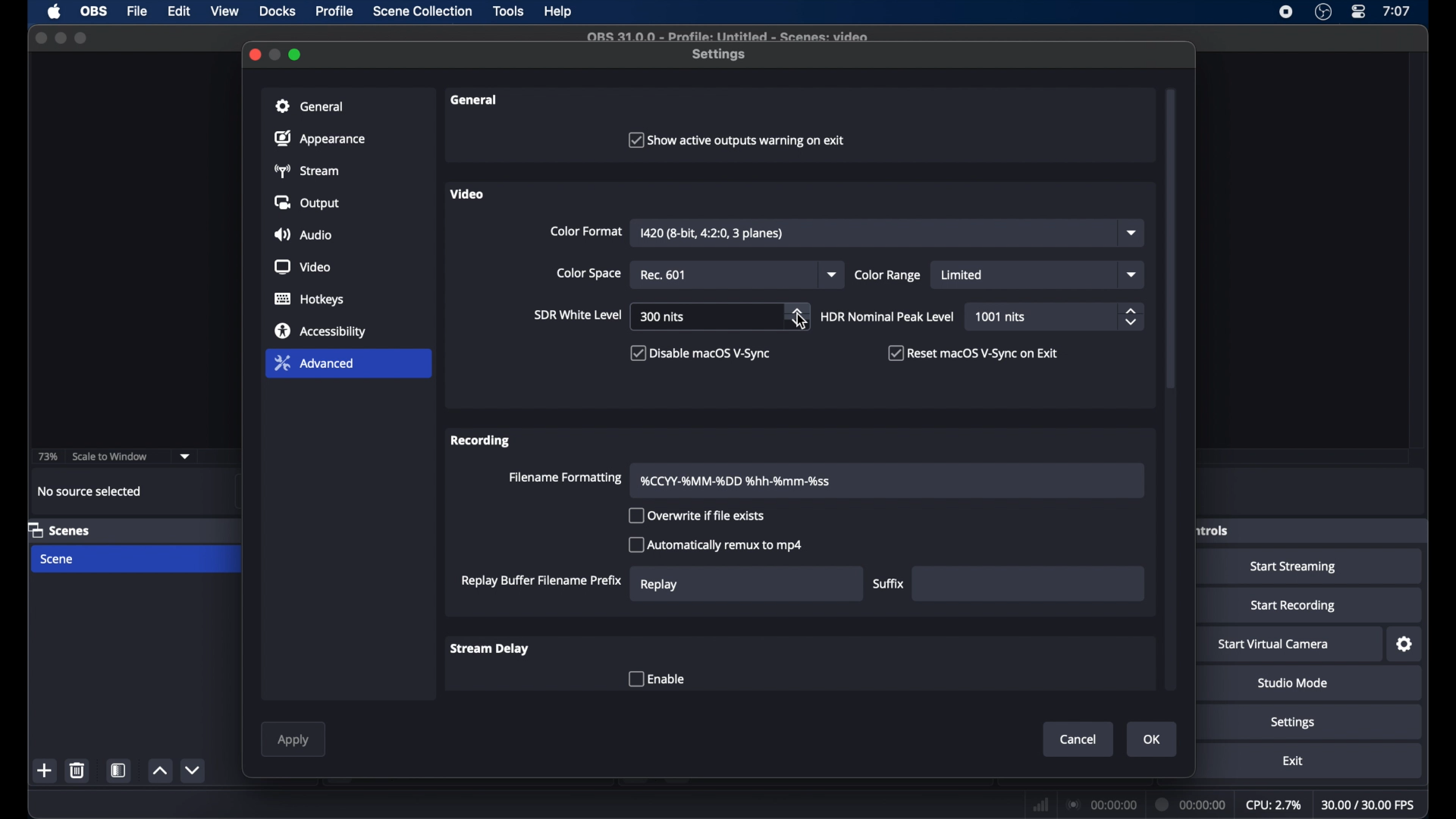 This screenshot has width=1456, height=819. What do you see at coordinates (890, 584) in the screenshot?
I see `suffix` at bounding box center [890, 584].